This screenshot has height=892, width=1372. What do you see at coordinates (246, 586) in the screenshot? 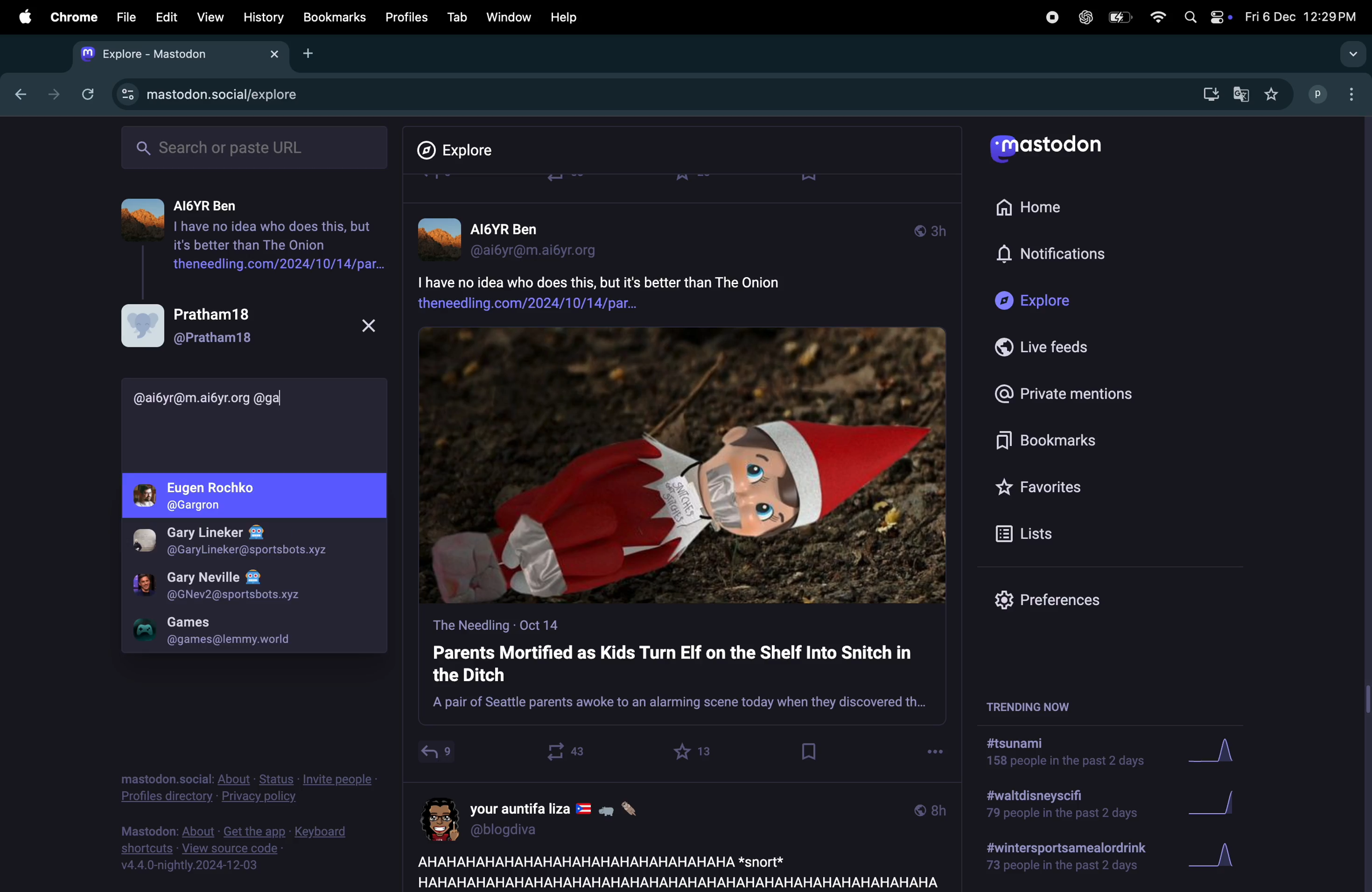
I see `user profile` at bounding box center [246, 586].